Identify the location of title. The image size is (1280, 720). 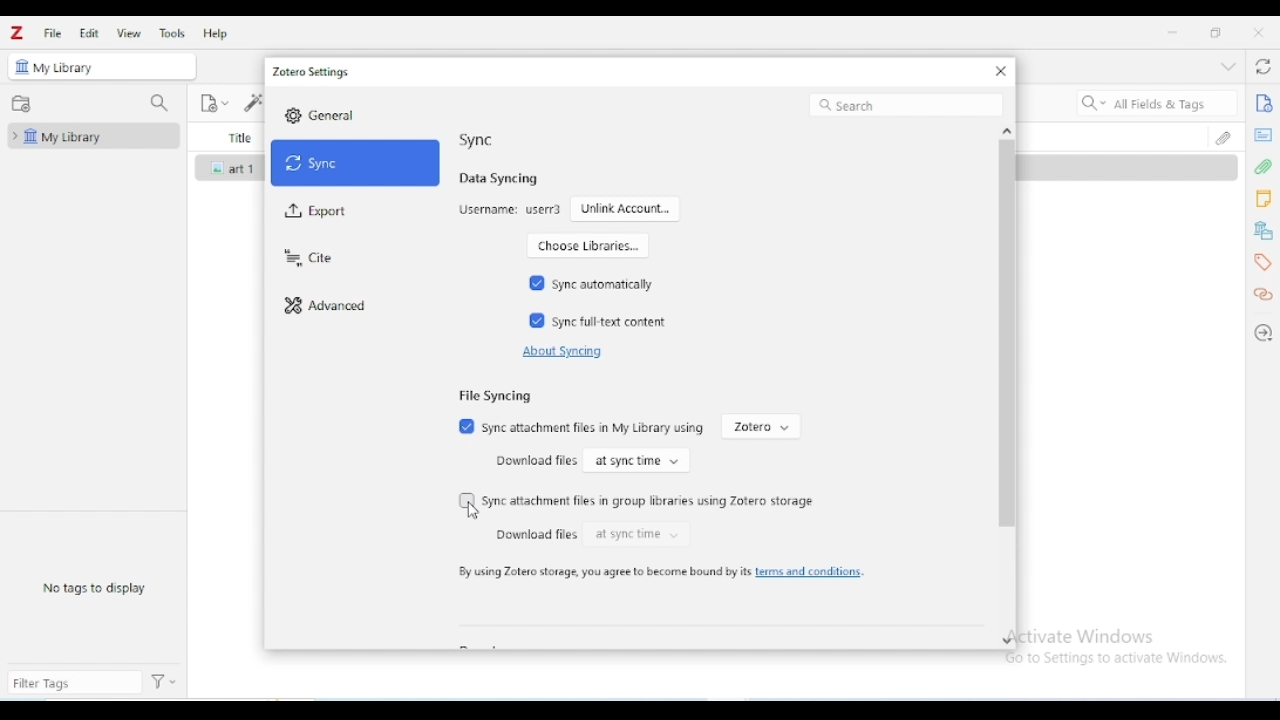
(238, 137).